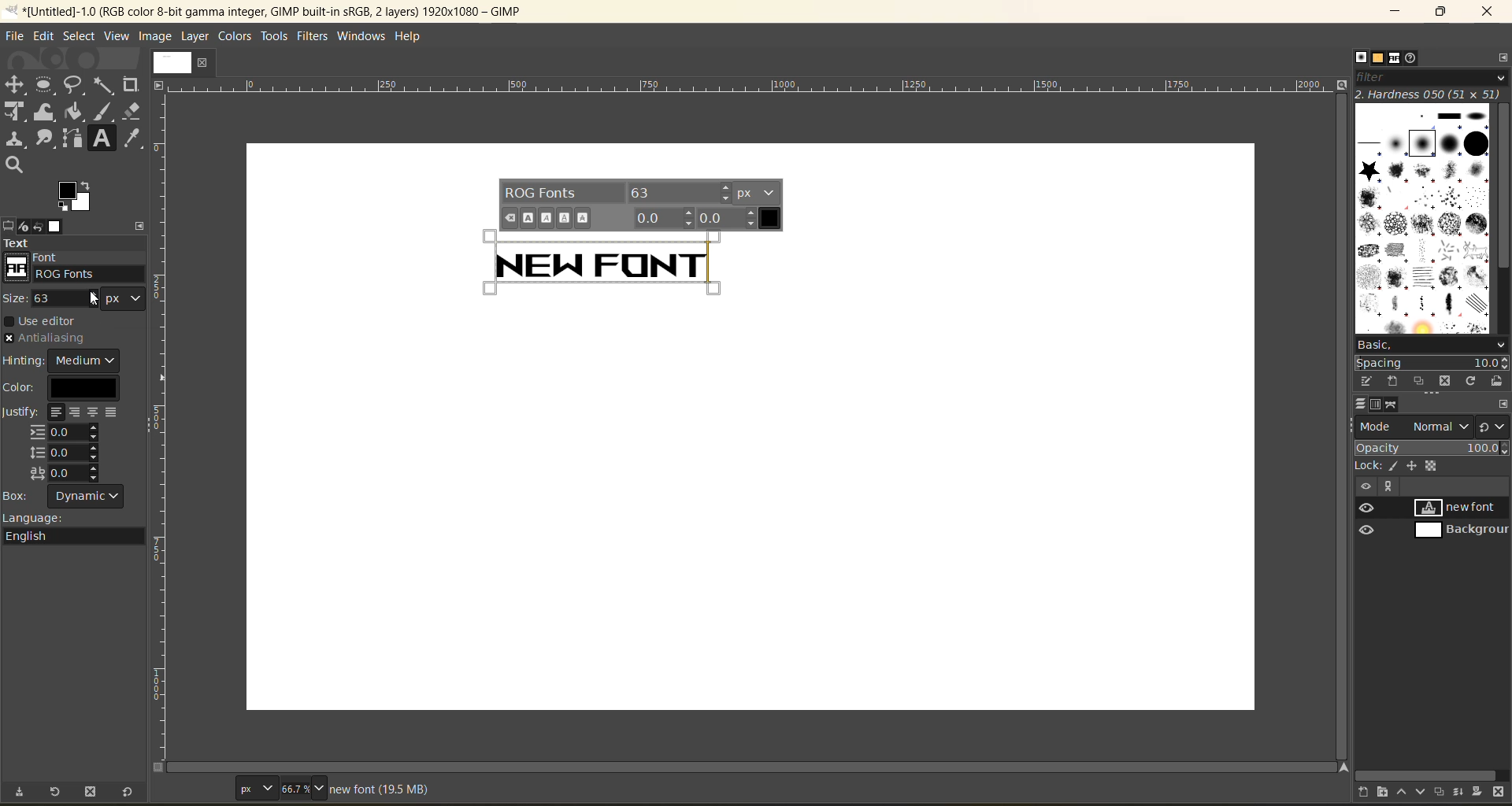 The width and height of the screenshot is (1512, 806). Describe the element at coordinates (157, 36) in the screenshot. I see `image` at that location.